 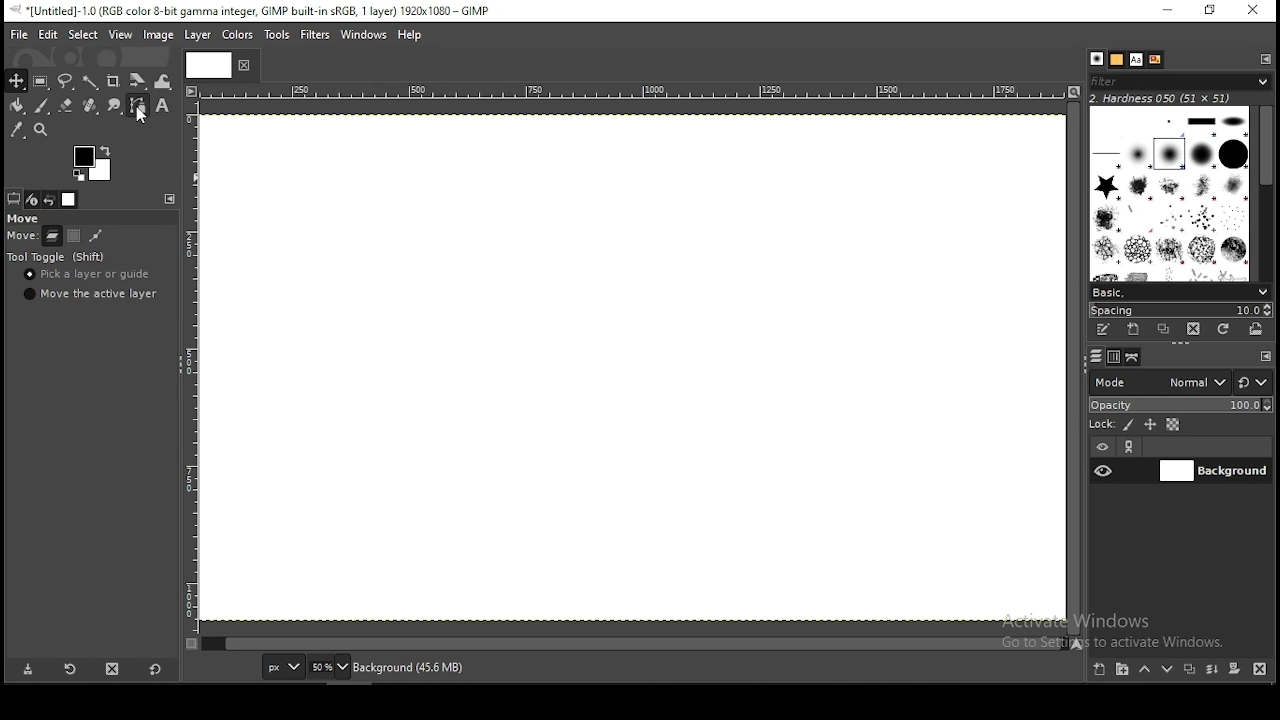 What do you see at coordinates (265, 11) in the screenshot?
I see `“[Untitled]-1.0 (RGB color 8-bit gamma integer, GIMP built-in sRGB, 1 layer) 1920x1080 - GIMP` at bounding box center [265, 11].